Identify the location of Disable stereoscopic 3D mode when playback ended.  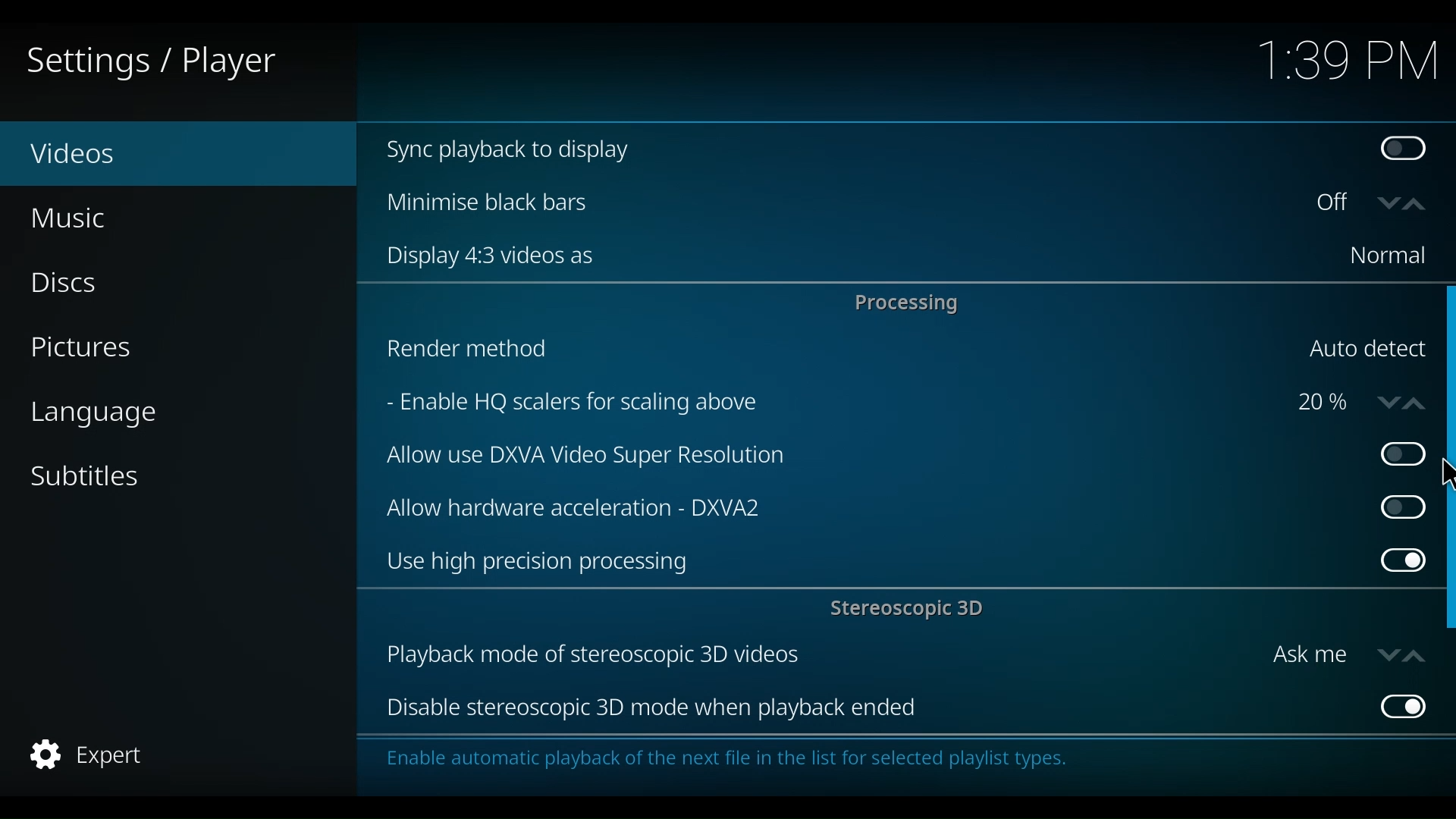
(871, 709).